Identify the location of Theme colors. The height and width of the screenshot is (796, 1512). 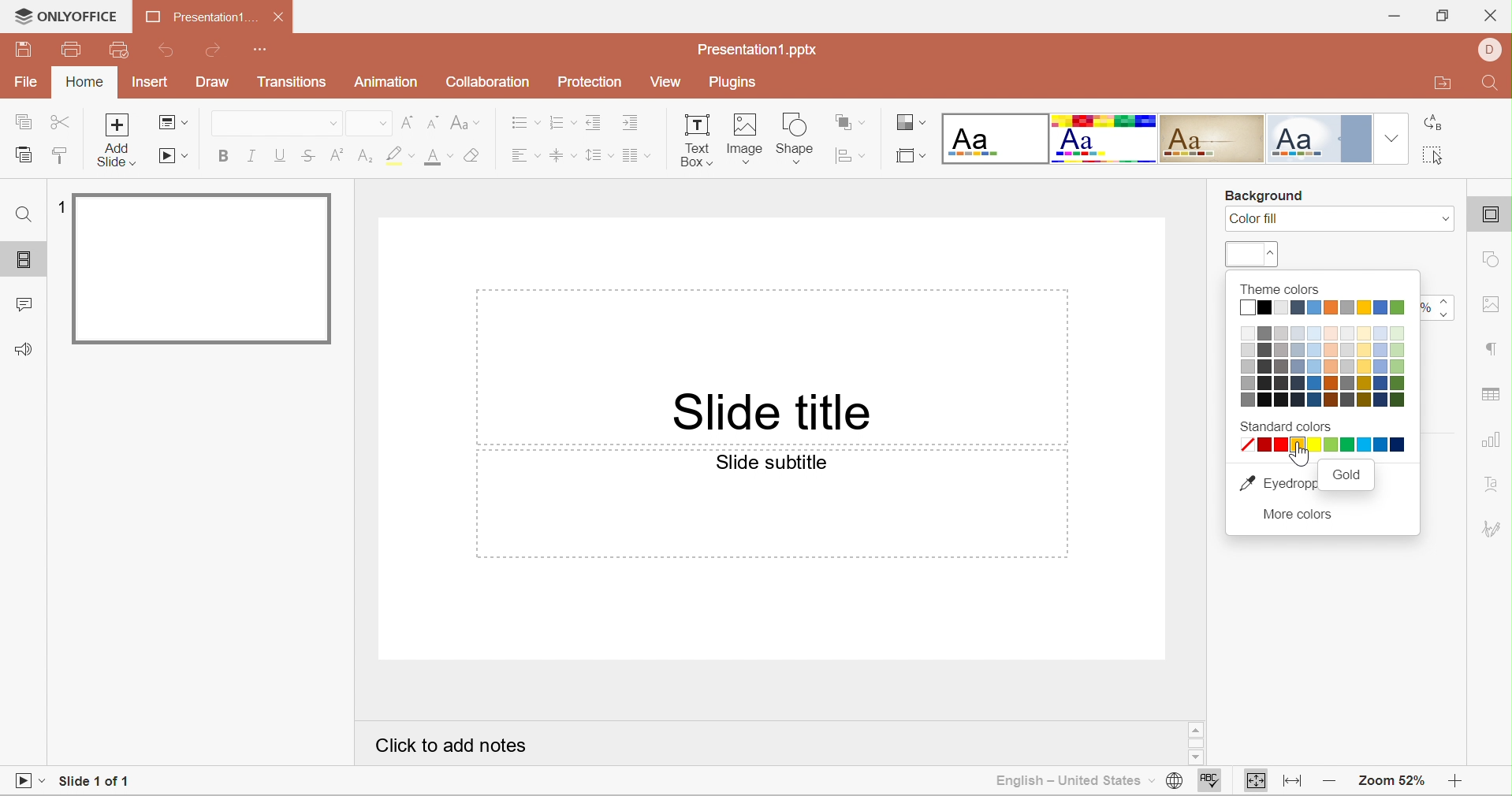
(1324, 355).